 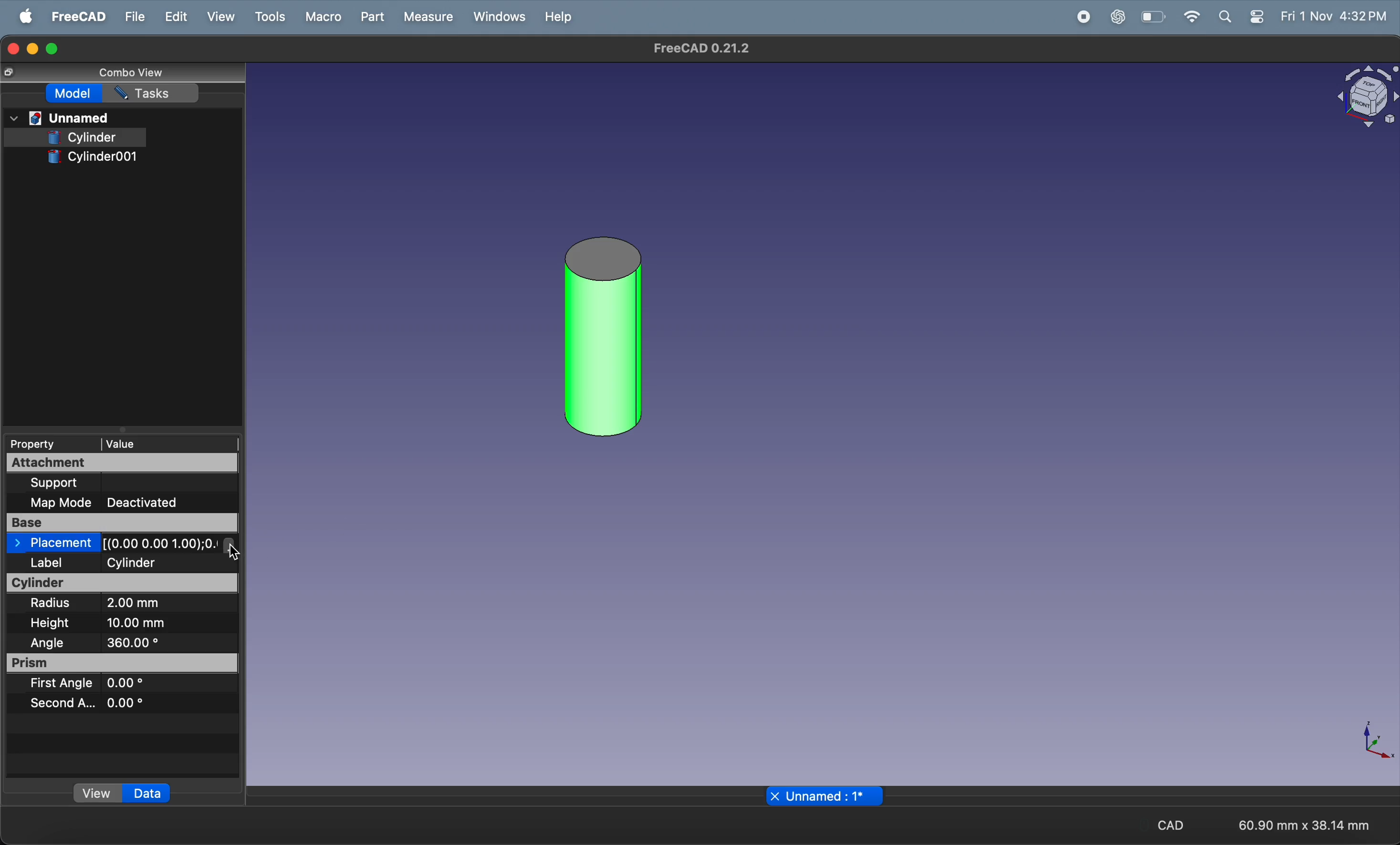 I want to click on freeCad  0.21.2, so click(x=701, y=48).